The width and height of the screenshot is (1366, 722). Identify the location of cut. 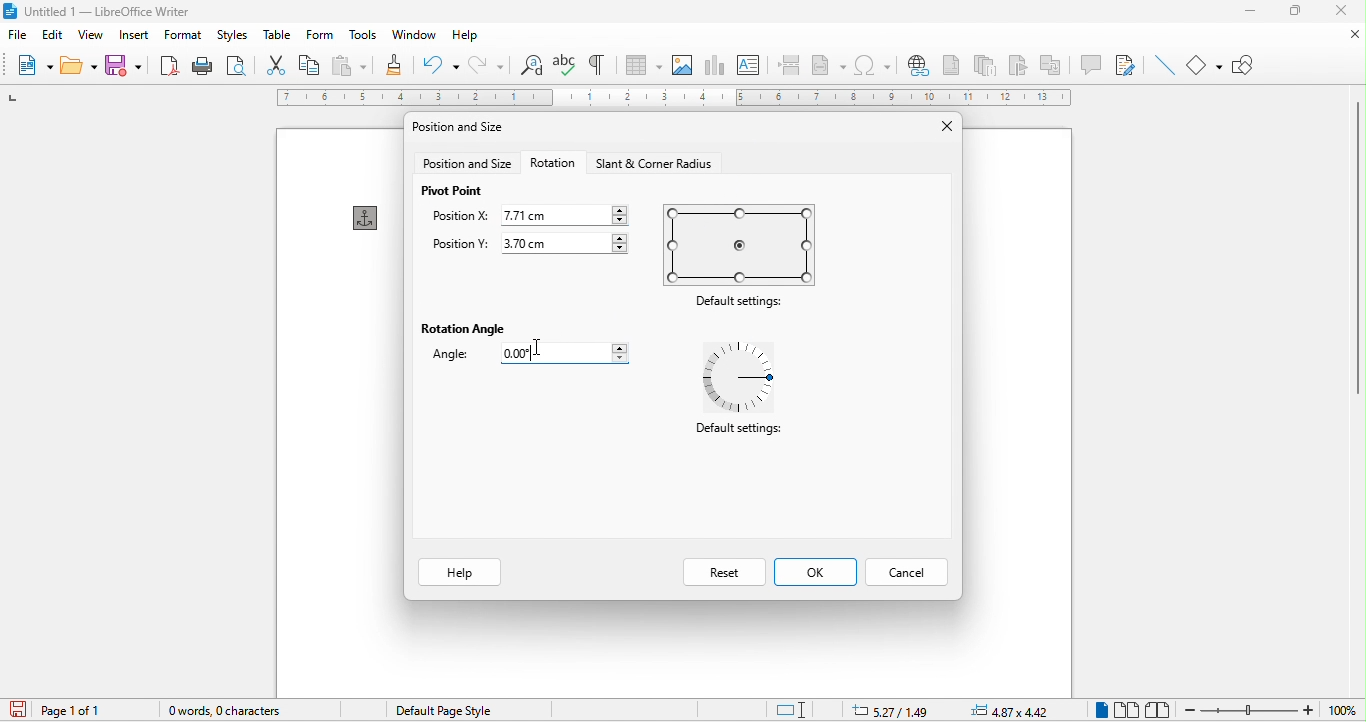
(278, 66).